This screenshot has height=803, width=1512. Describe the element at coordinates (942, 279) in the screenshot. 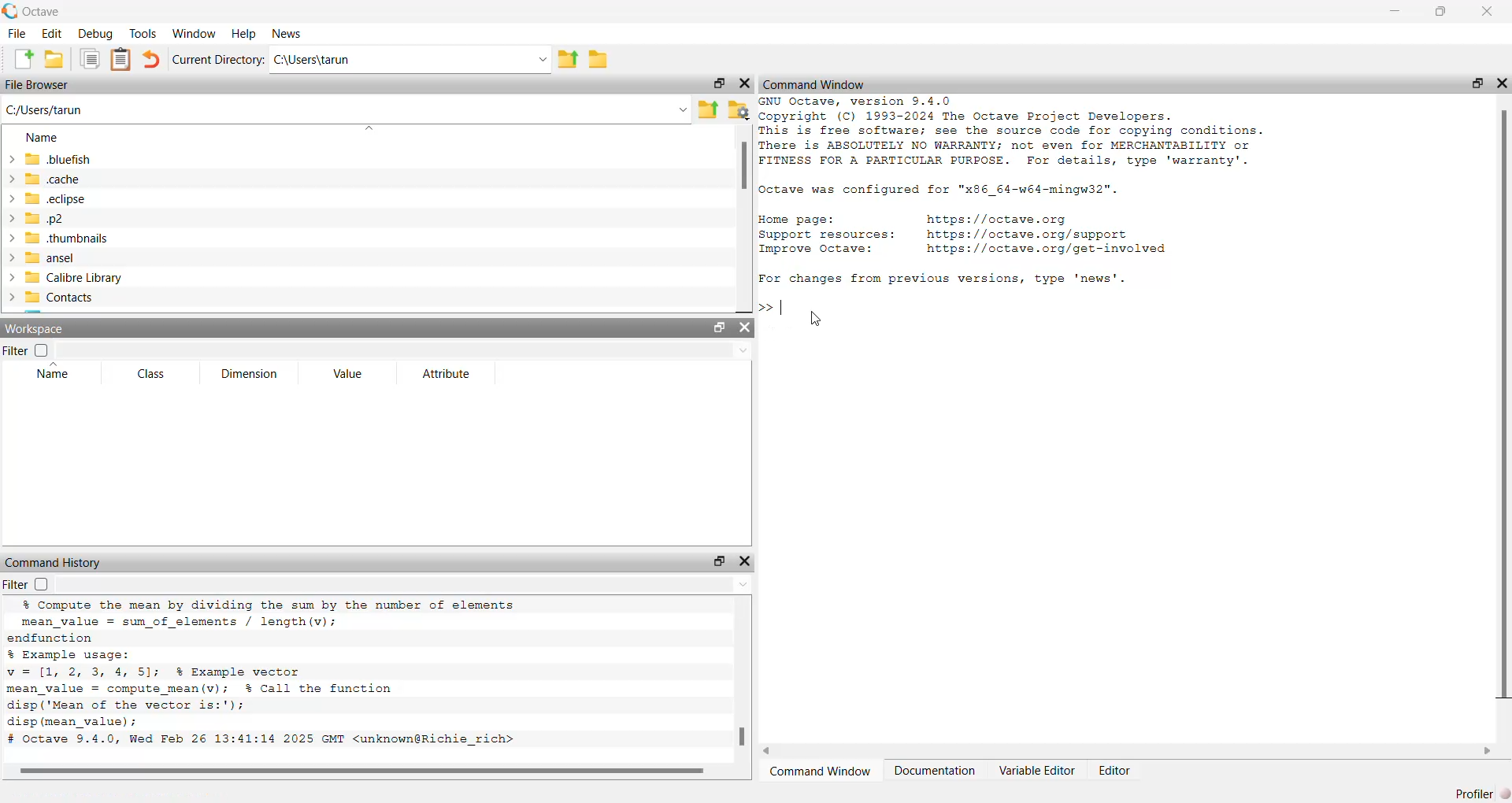

I see `For changes from previous versions, type 'news'.` at that location.